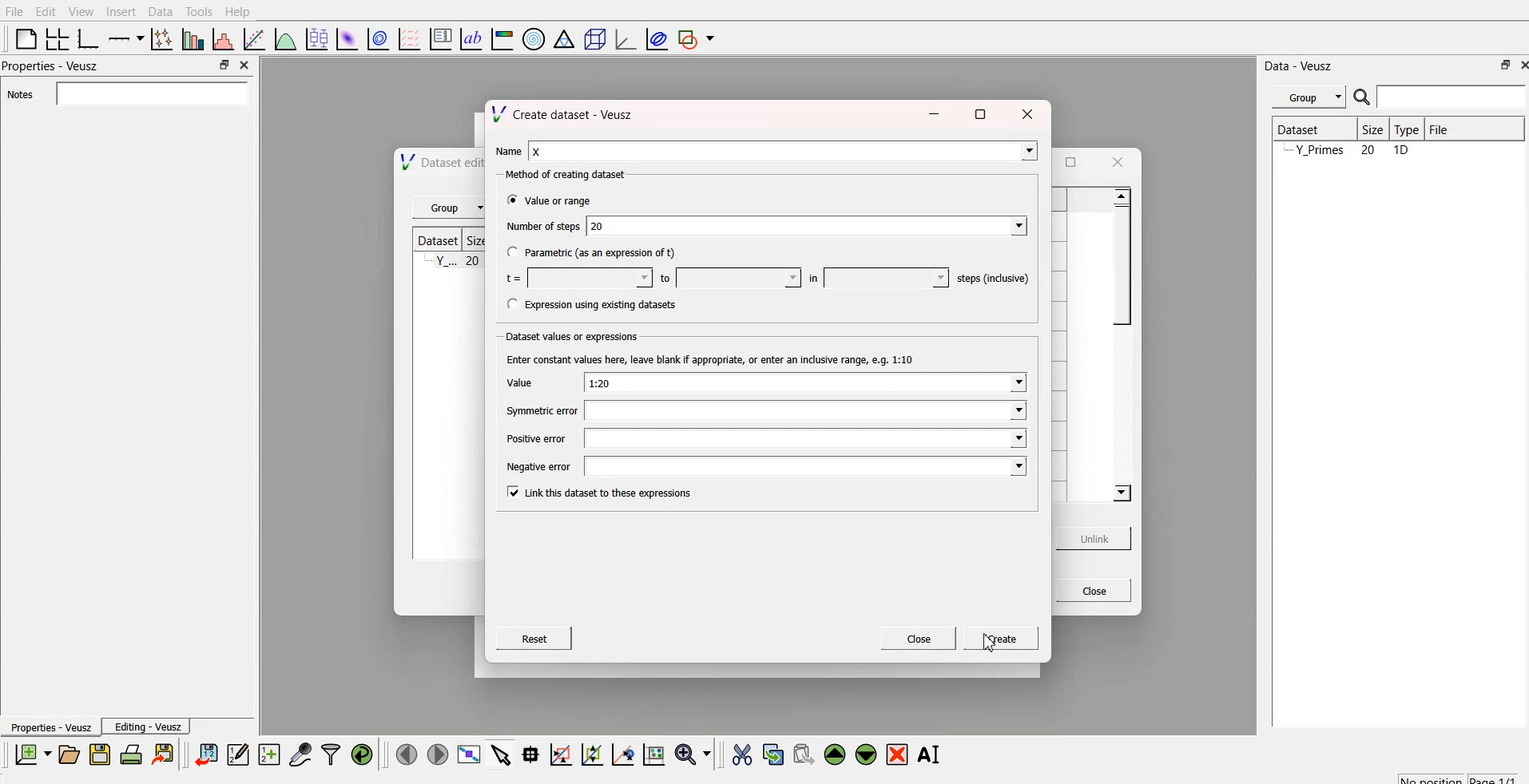 The width and height of the screenshot is (1529, 784). What do you see at coordinates (124, 37) in the screenshot?
I see `plot on axis` at bounding box center [124, 37].